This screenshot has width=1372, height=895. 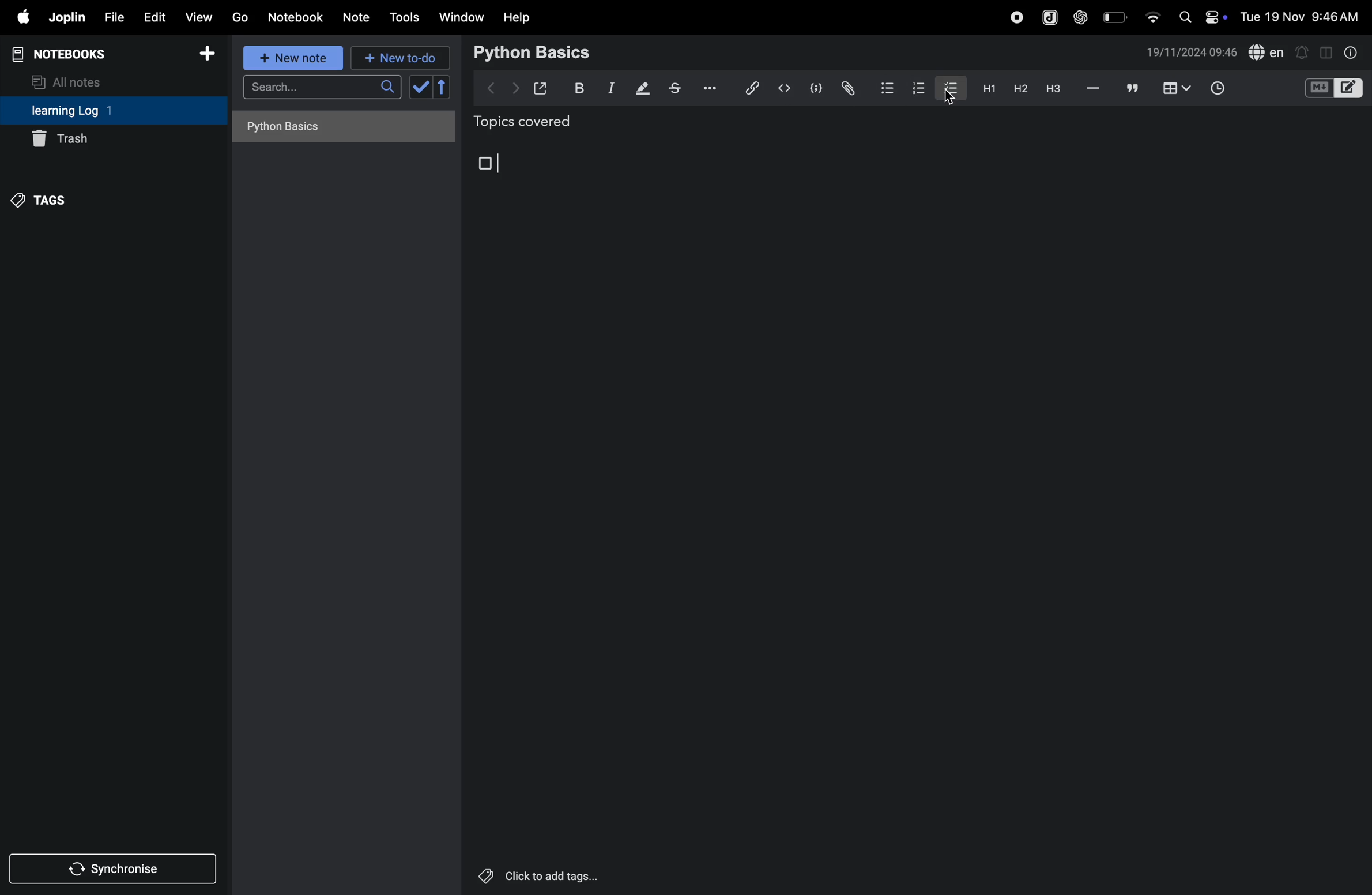 What do you see at coordinates (112, 18) in the screenshot?
I see `file` at bounding box center [112, 18].